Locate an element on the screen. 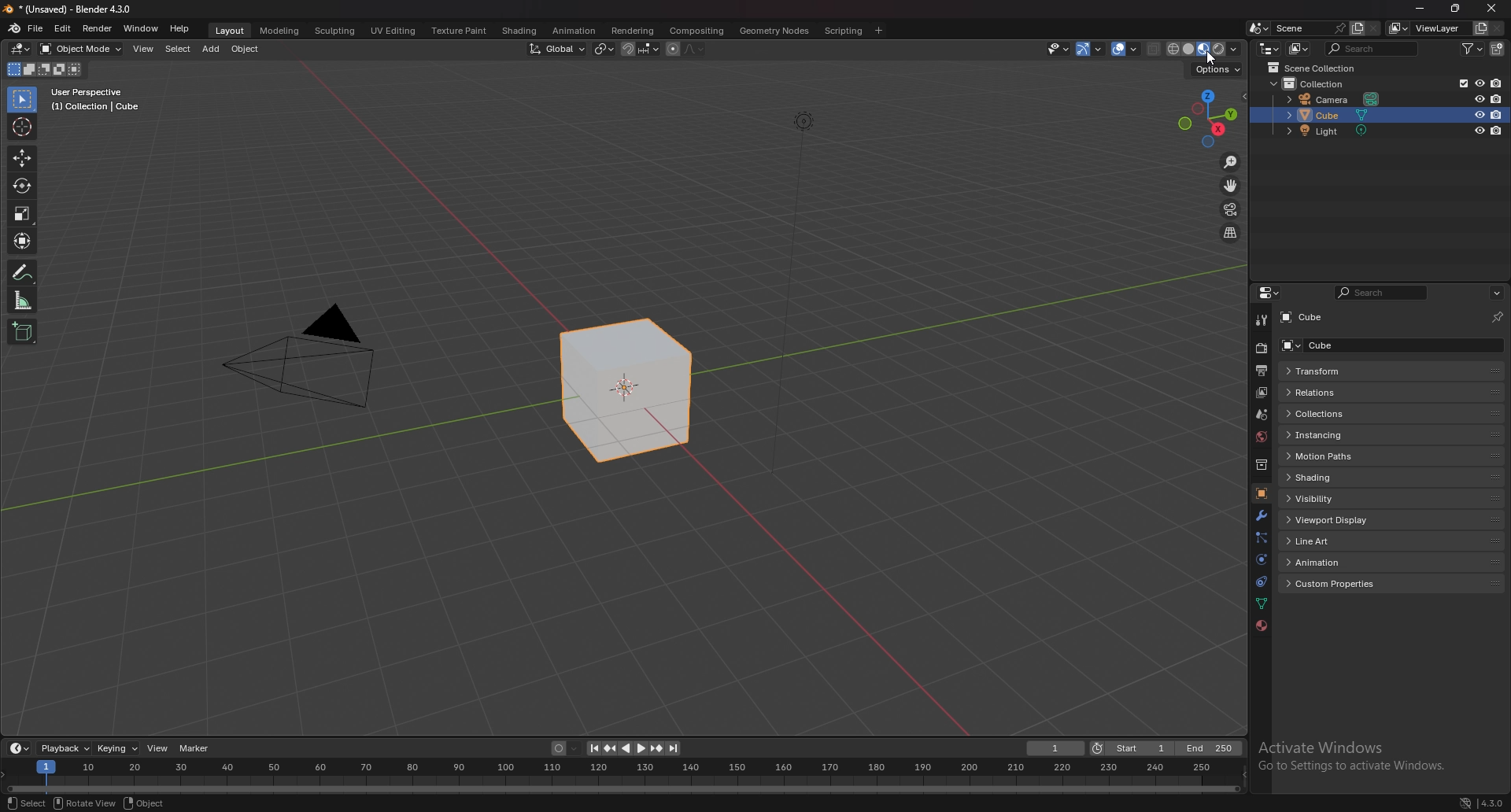 The width and height of the screenshot is (1511, 812). title is located at coordinates (72, 9).